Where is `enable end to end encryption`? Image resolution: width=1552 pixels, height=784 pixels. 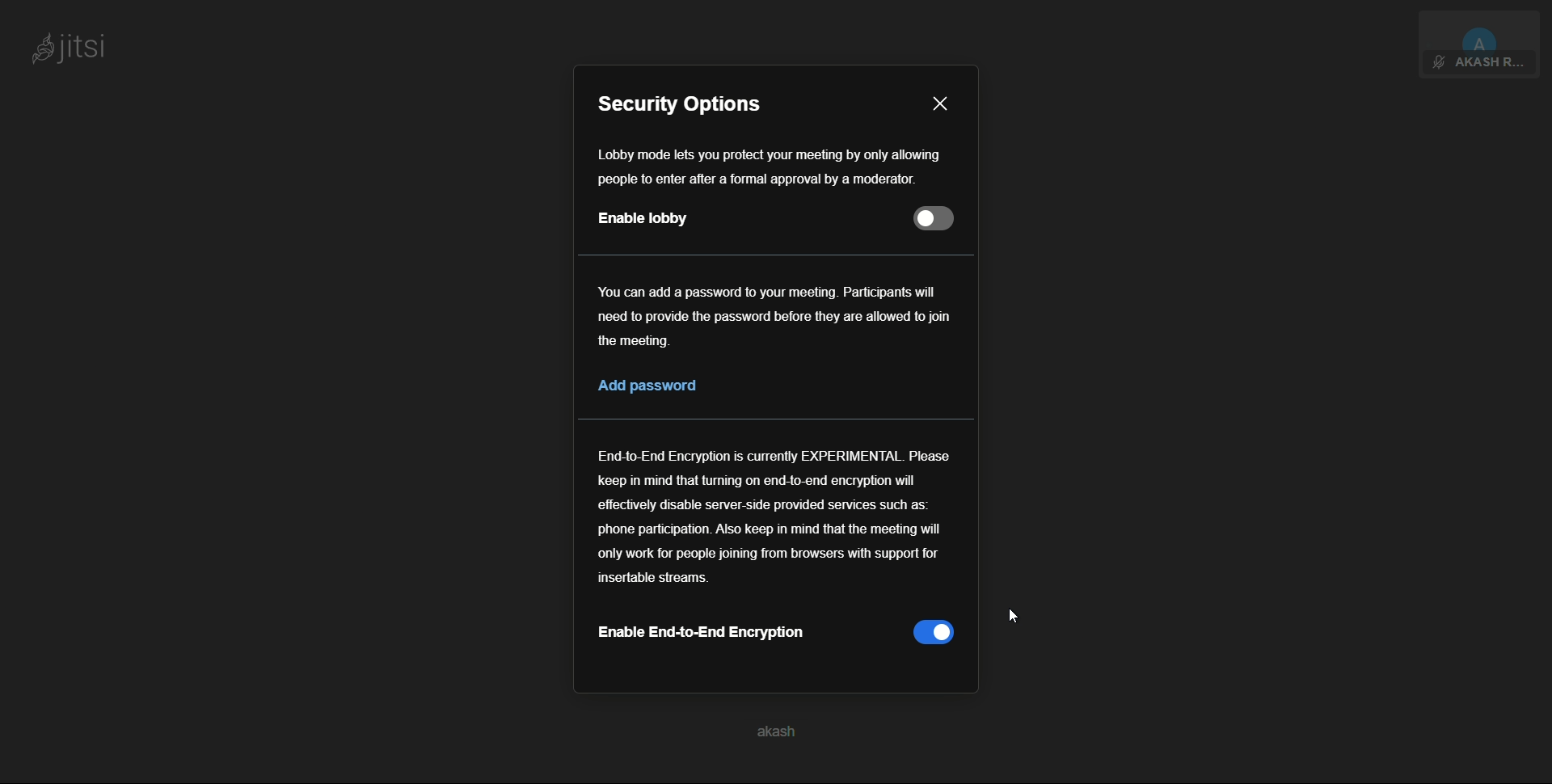
enable end to end encryption is located at coordinates (700, 633).